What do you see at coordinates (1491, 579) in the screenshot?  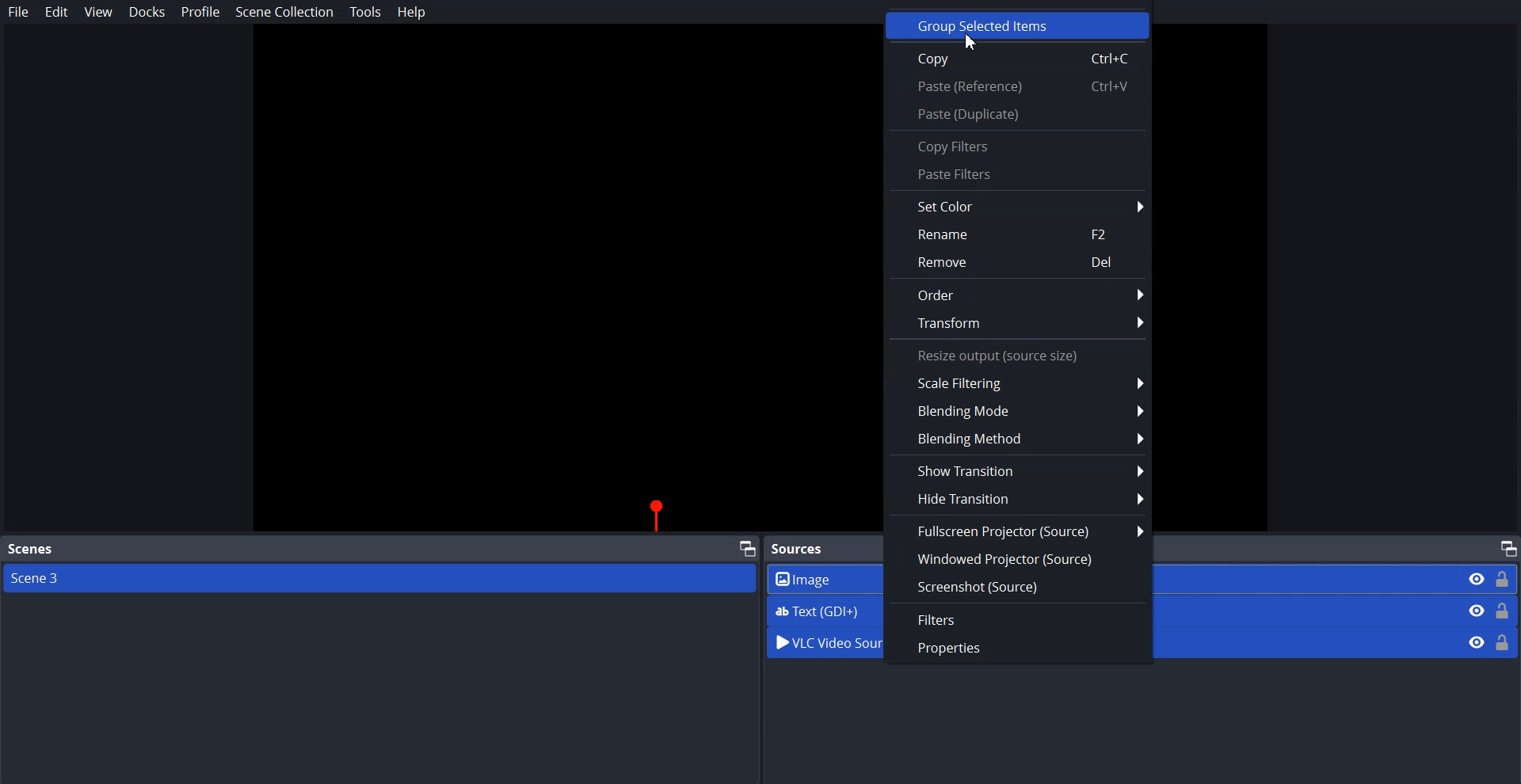 I see `Image` at bounding box center [1491, 579].